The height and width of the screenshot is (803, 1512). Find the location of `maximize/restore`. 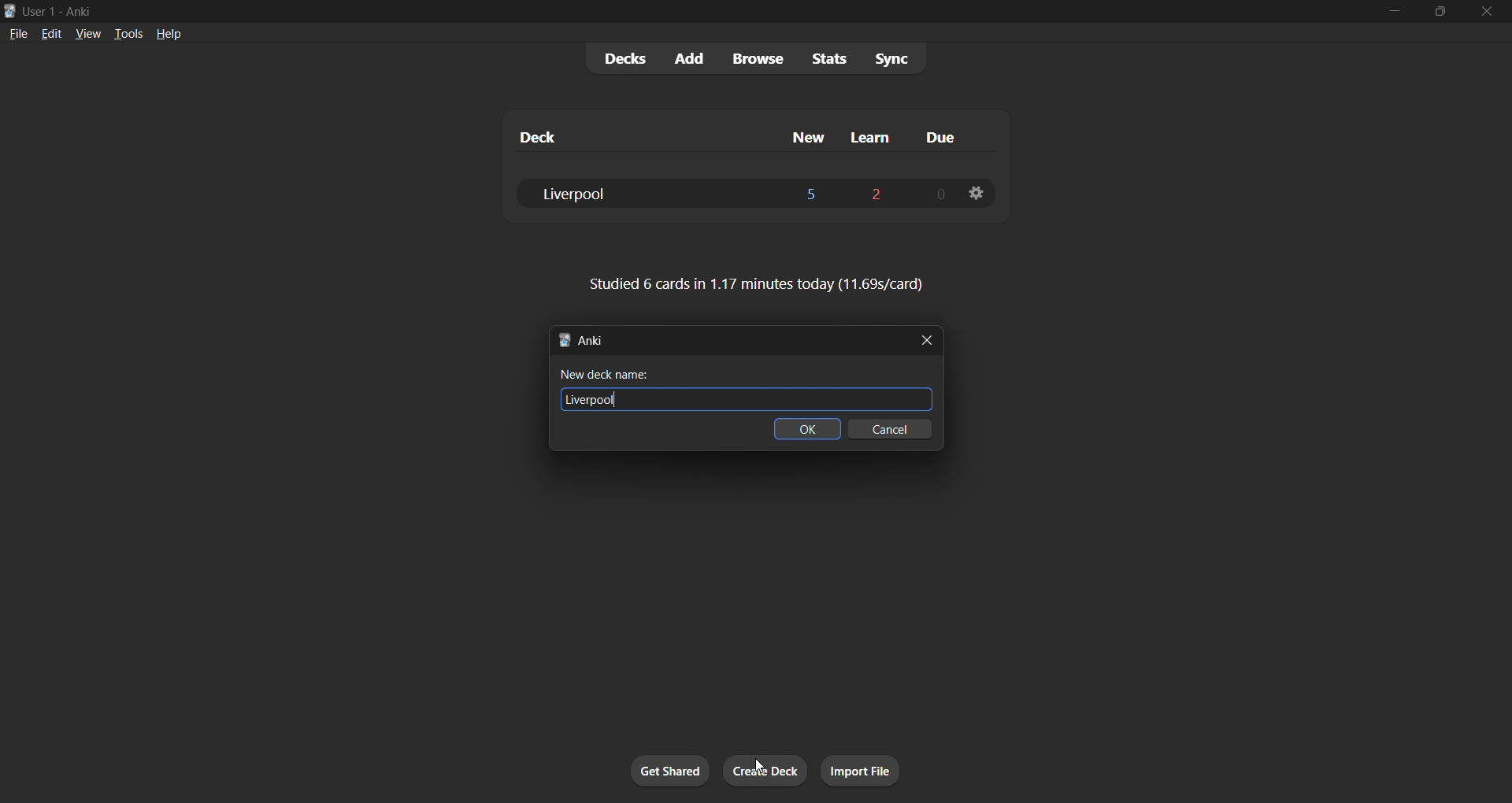

maximize/restore is located at coordinates (1432, 13).